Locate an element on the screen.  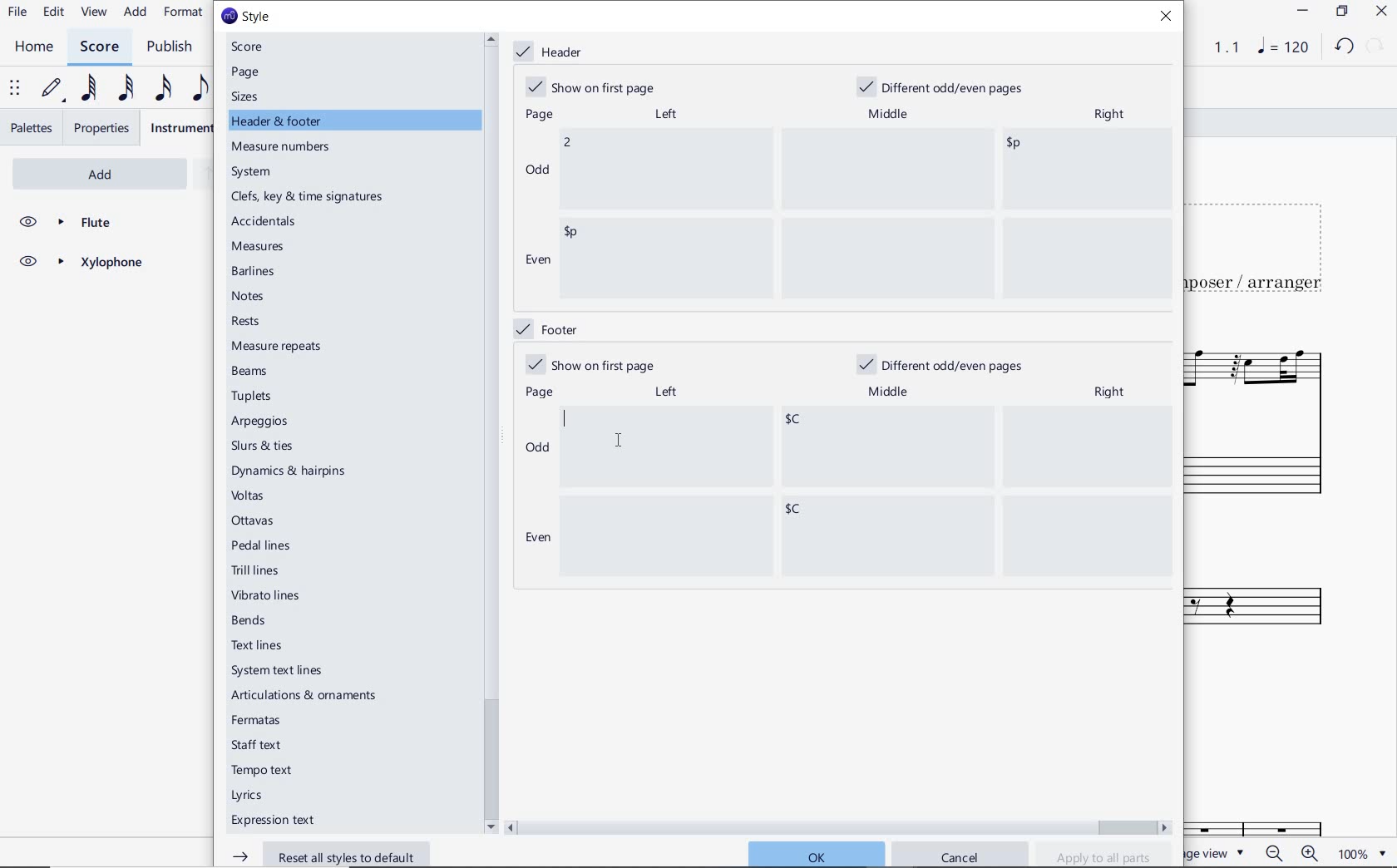
barlines is located at coordinates (256, 273).